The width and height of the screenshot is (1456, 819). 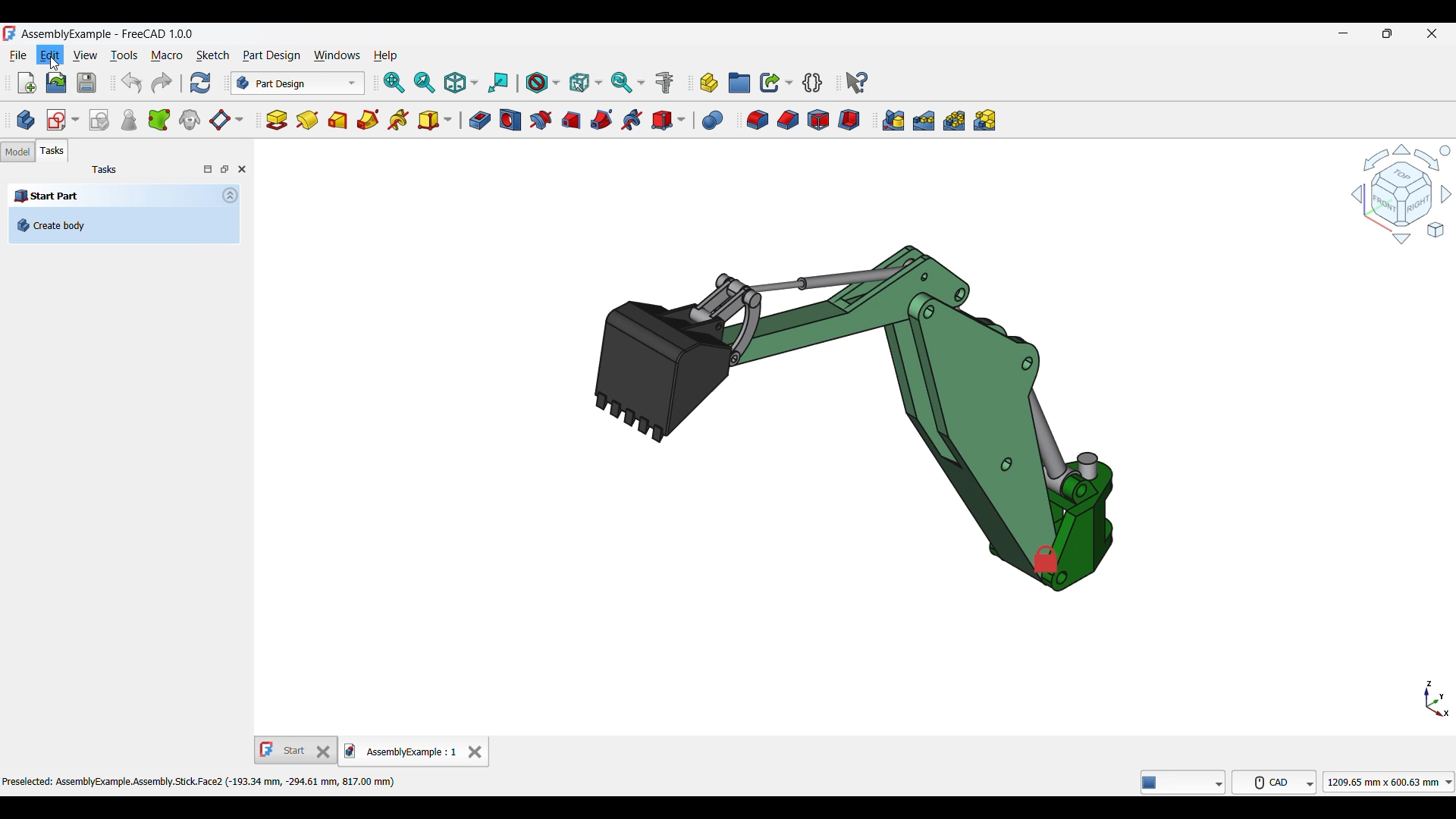 I want to click on Open, so click(x=57, y=83).